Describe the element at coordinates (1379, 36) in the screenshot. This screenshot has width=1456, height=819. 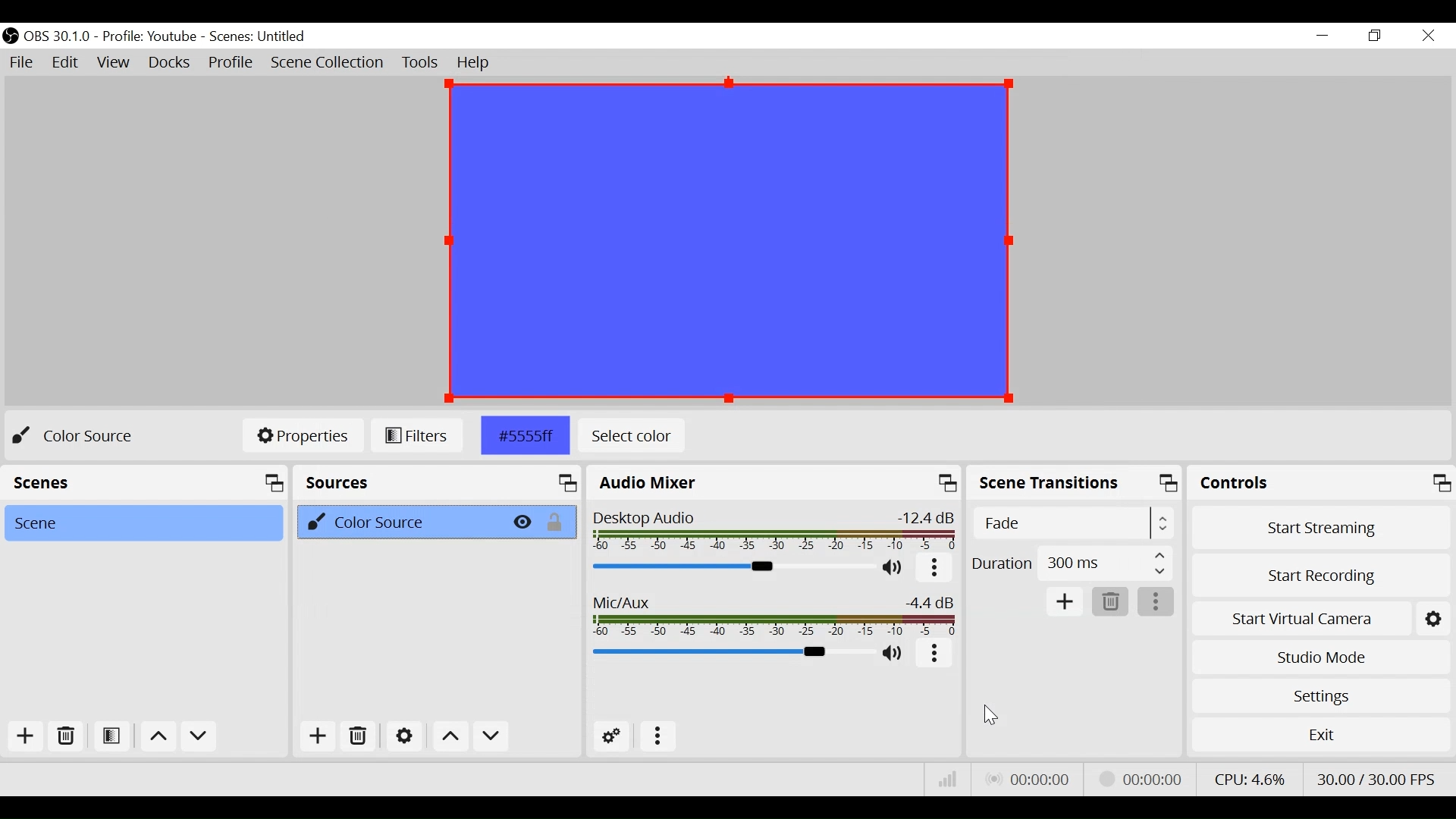
I see `Restore` at that location.